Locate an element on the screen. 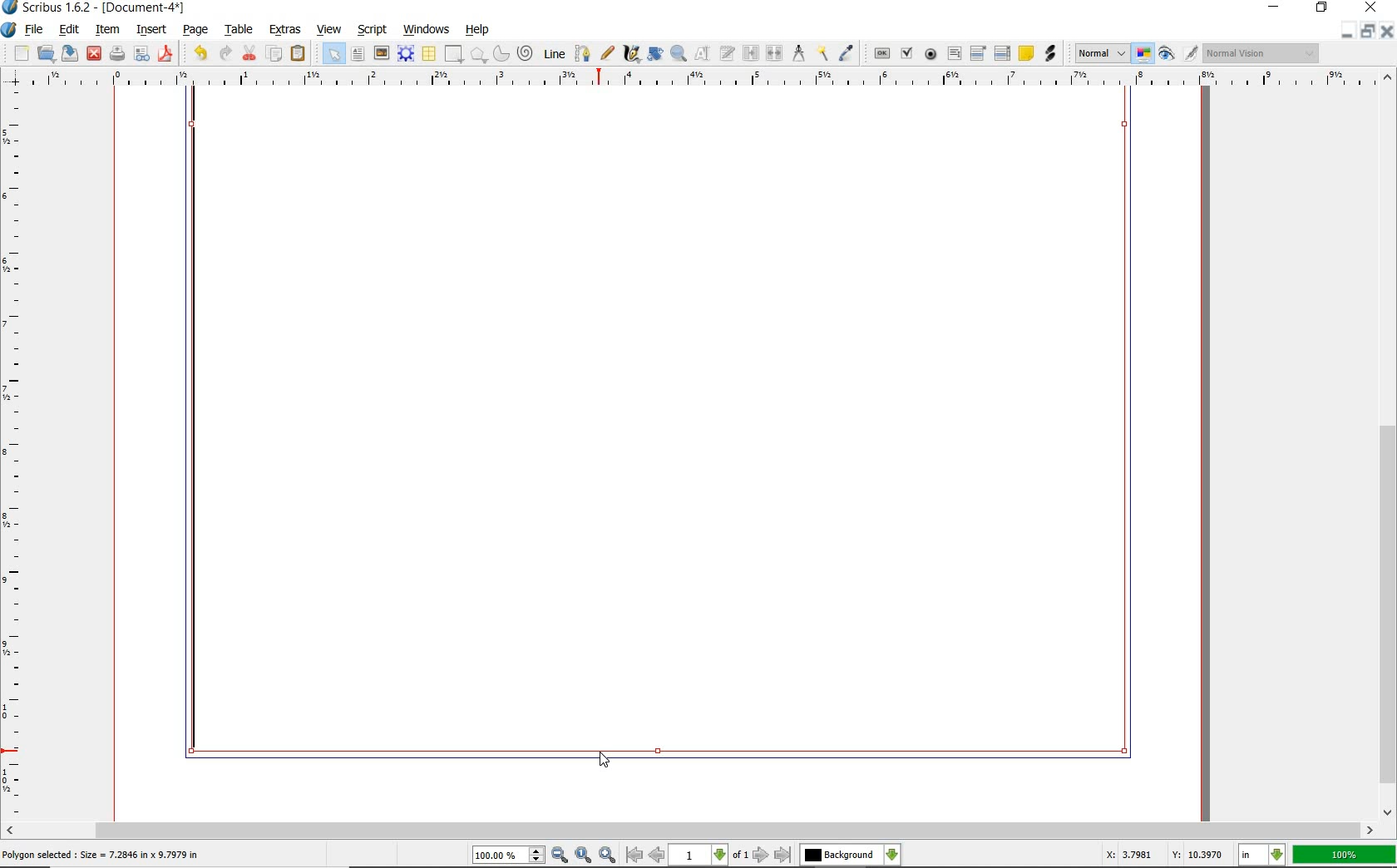 The image size is (1397, 868). open is located at coordinates (47, 54).